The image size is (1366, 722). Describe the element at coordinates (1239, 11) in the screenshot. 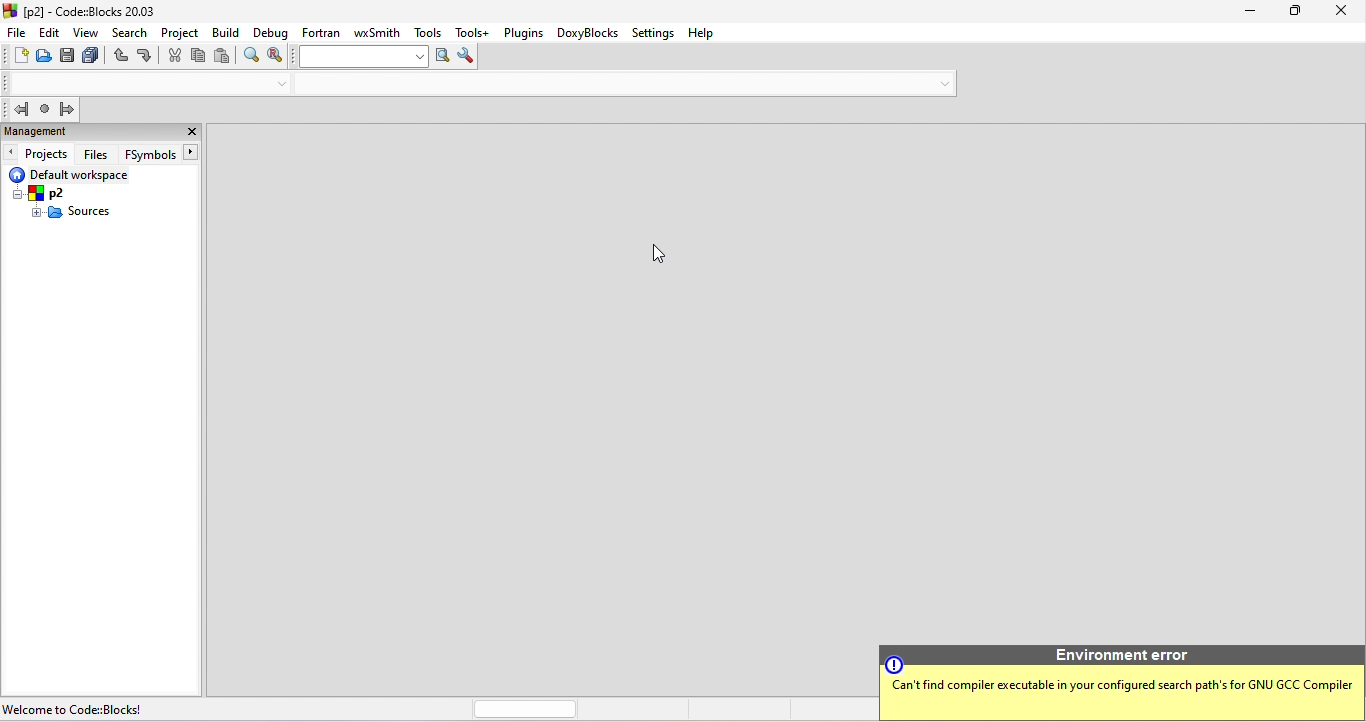

I see `minimize` at that location.